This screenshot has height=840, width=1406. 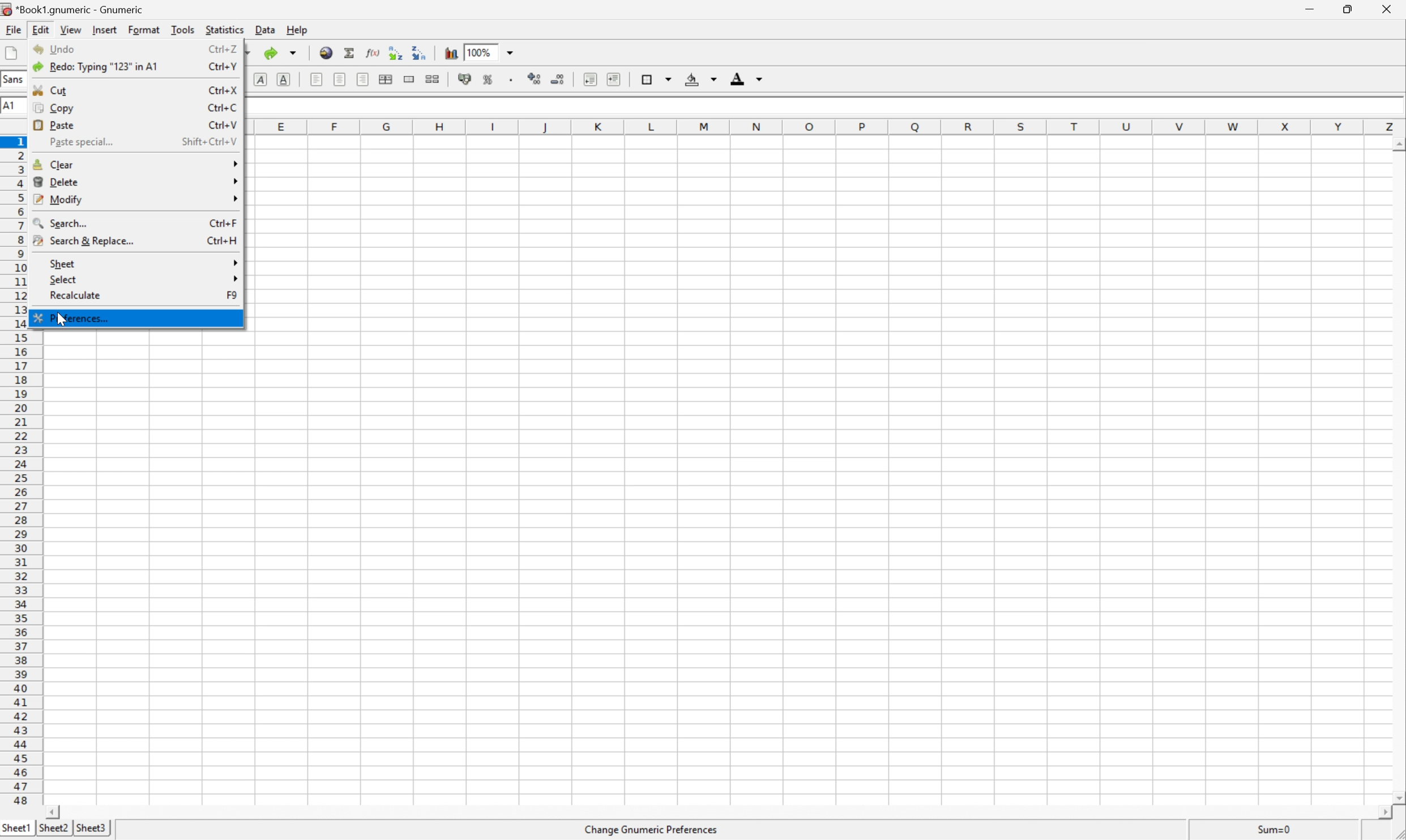 I want to click on search ctrl+f, so click(x=137, y=222).